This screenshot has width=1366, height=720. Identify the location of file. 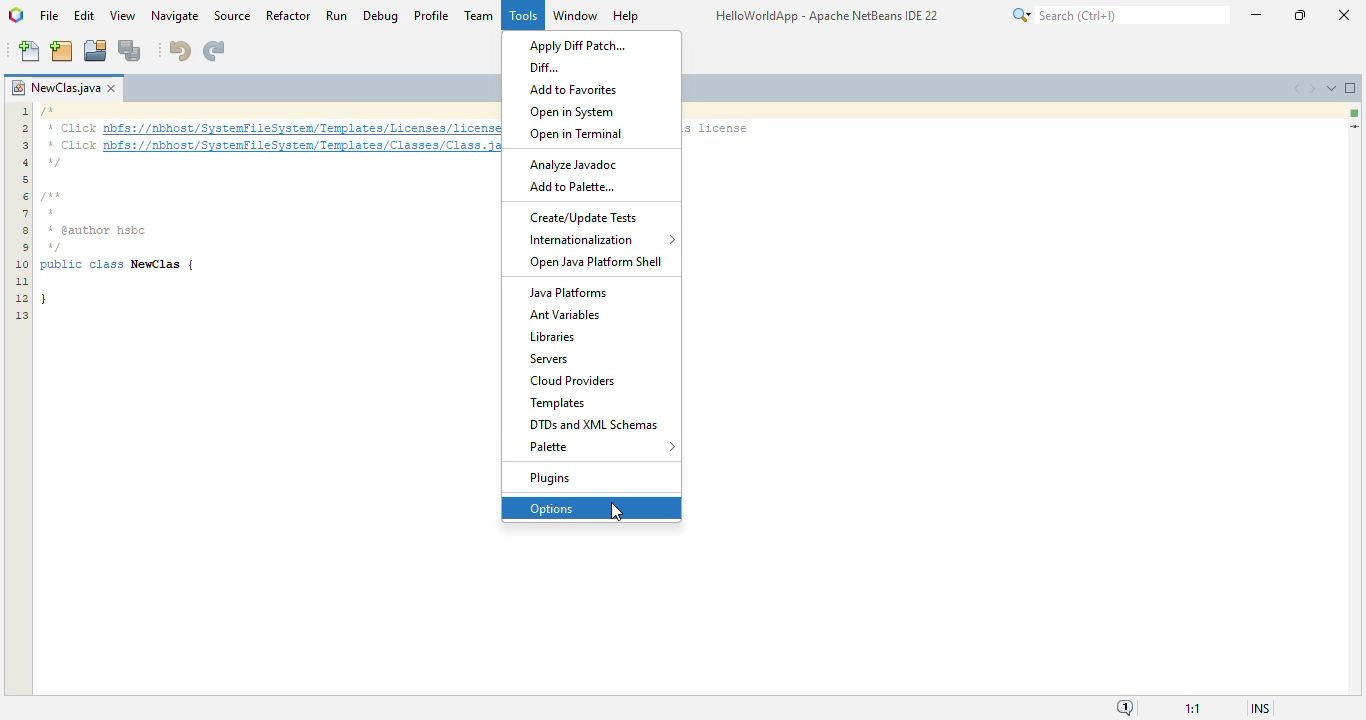
(50, 16).